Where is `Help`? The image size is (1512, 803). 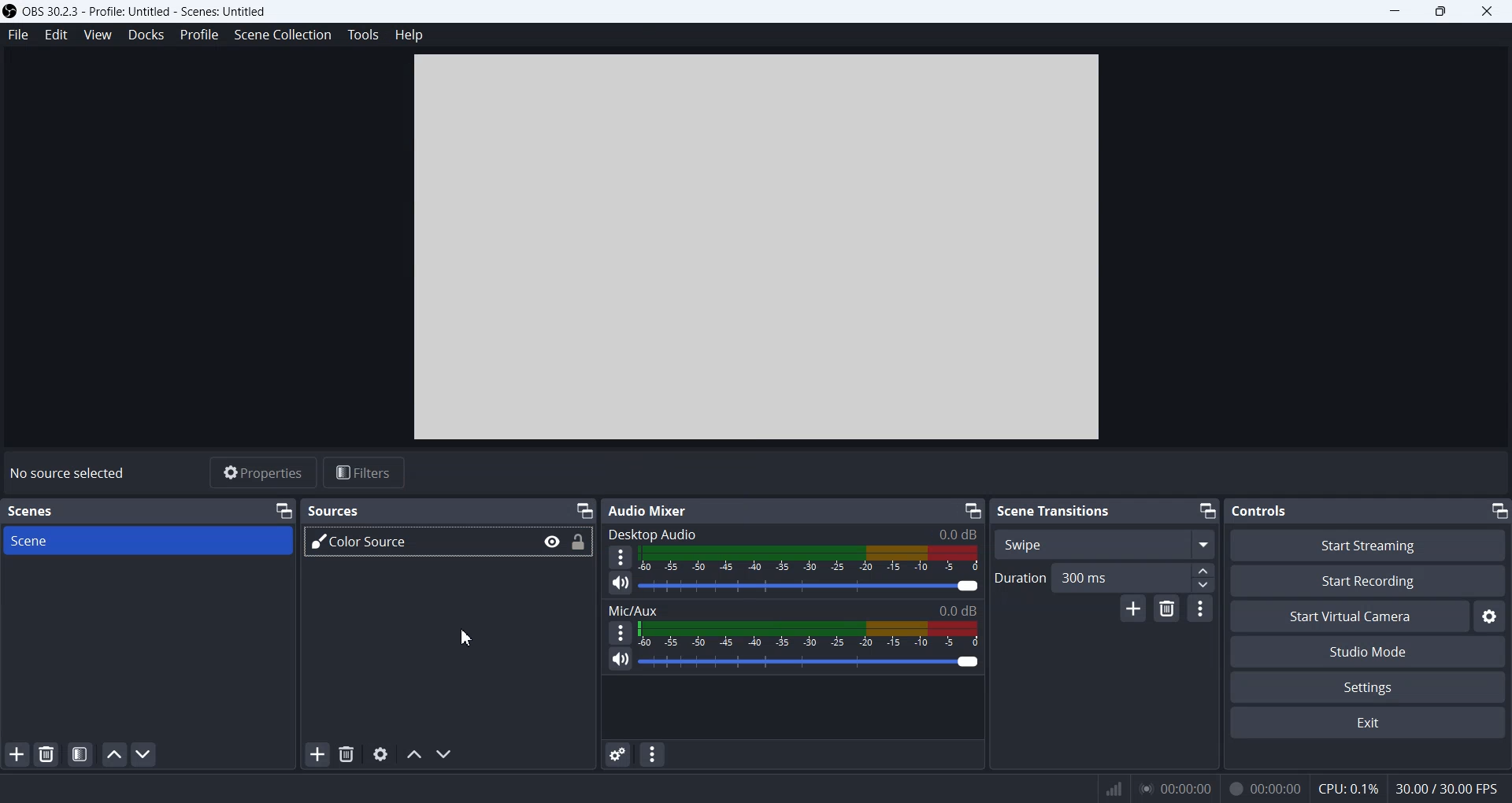 Help is located at coordinates (411, 34).